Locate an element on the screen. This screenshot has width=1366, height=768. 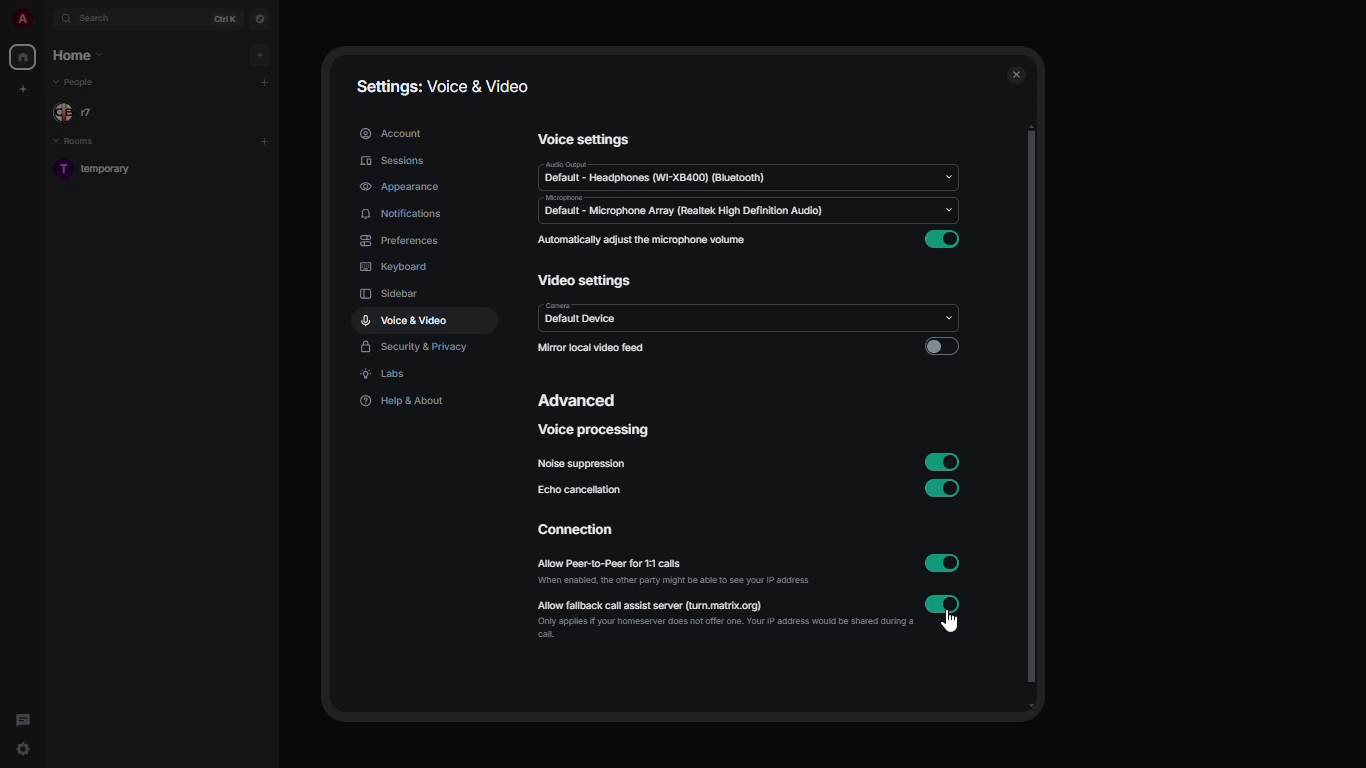
account is located at coordinates (392, 135).